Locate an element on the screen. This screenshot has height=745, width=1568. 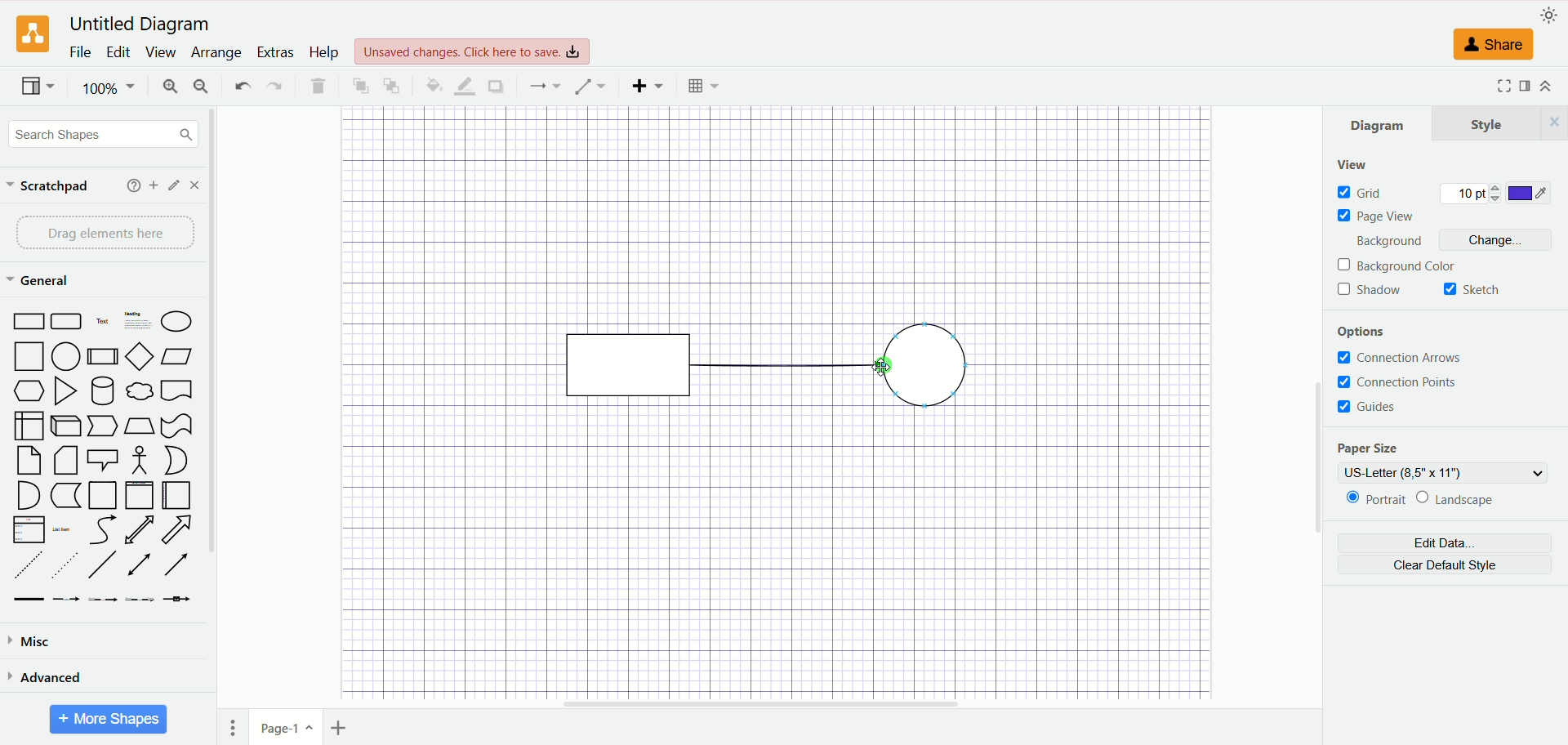
zoom in is located at coordinates (170, 87).